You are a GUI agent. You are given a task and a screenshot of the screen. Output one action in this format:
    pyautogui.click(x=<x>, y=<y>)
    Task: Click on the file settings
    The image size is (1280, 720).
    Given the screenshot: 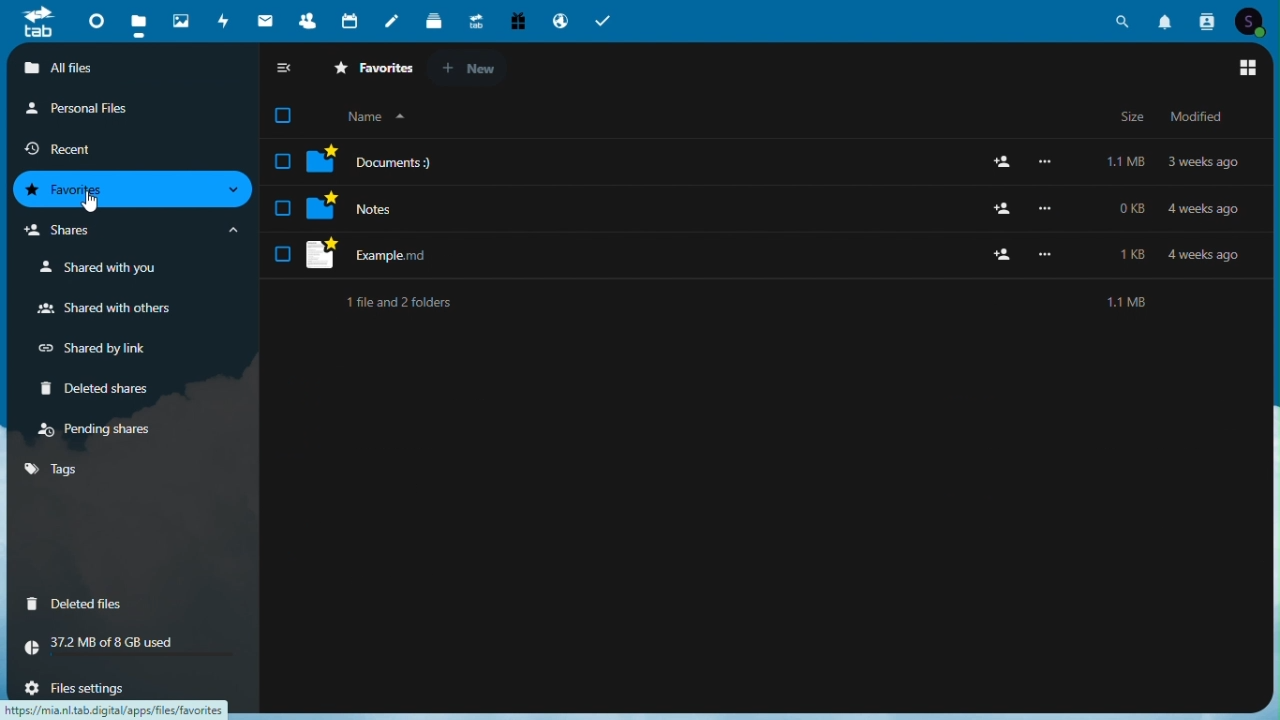 What is the action you would take?
    pyautogui.click(x=79, y=687)
    